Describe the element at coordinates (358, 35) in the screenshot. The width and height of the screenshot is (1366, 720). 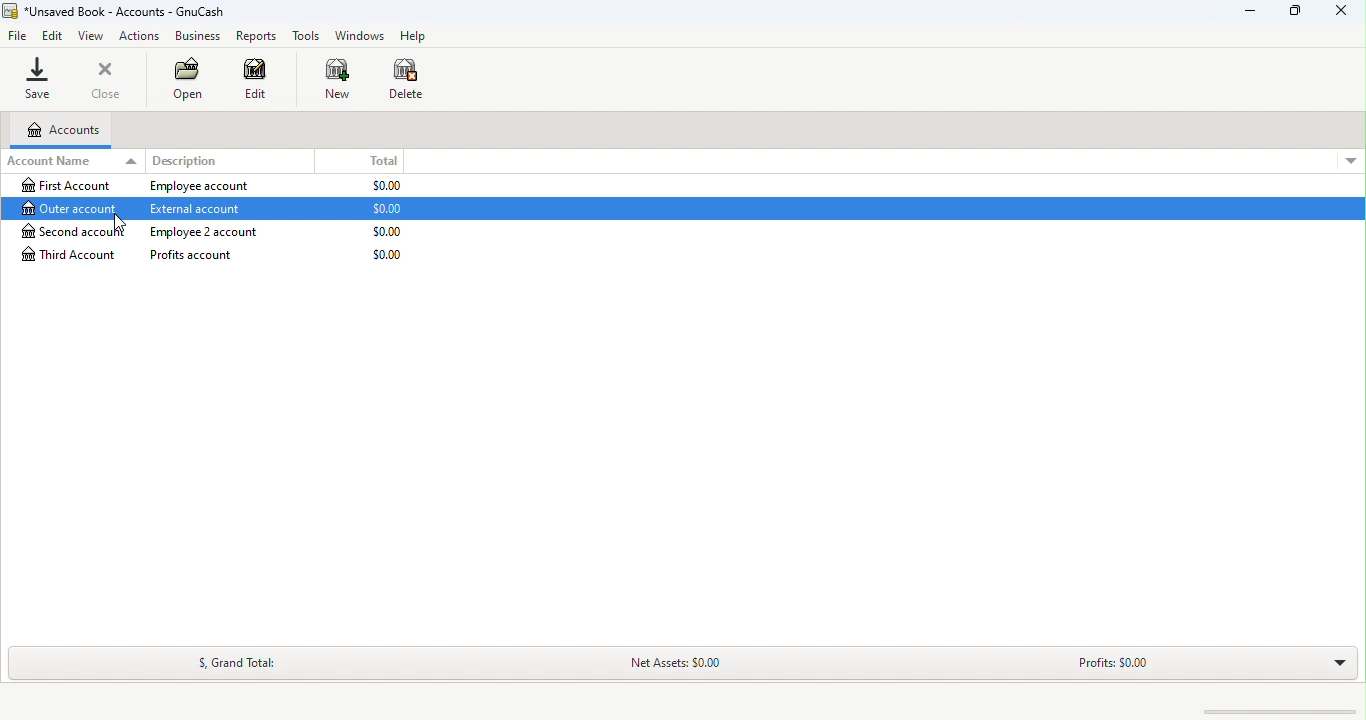
I see `Windows` at that location.